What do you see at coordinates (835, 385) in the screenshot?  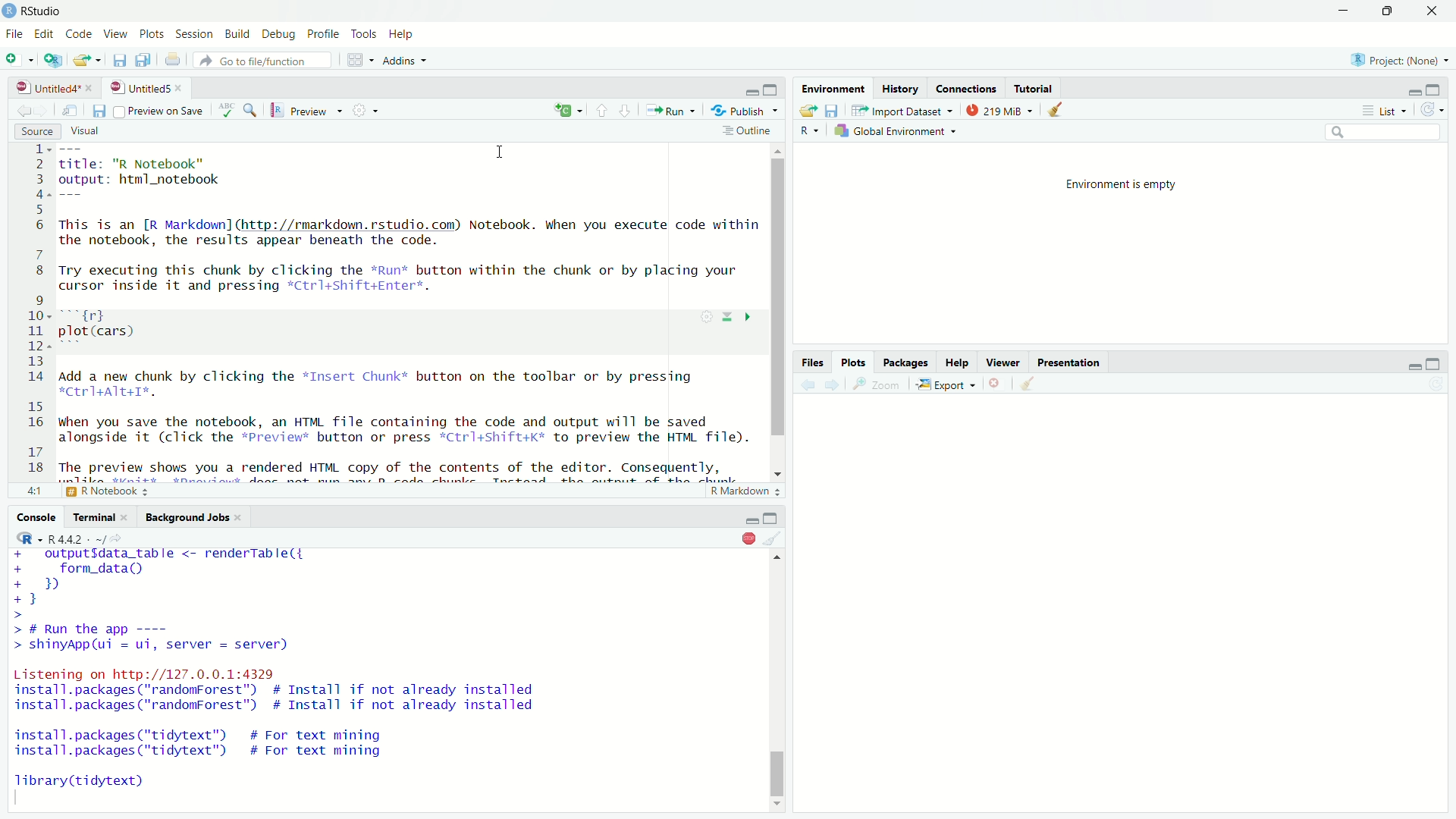 I see `next plot` at bounding box center [835, 385].